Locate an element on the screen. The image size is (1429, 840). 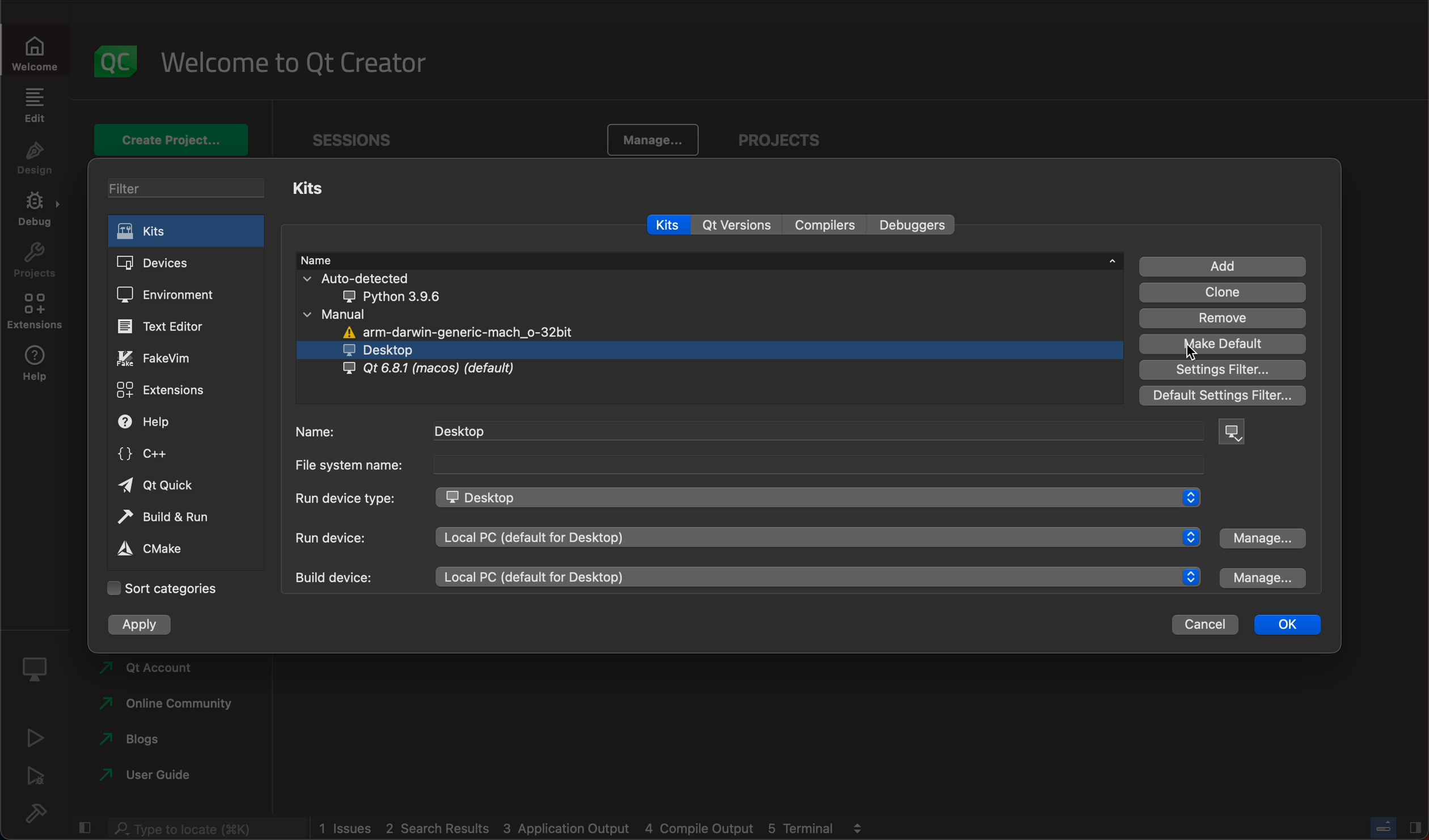
clone is located at coordinates (1223, 293).